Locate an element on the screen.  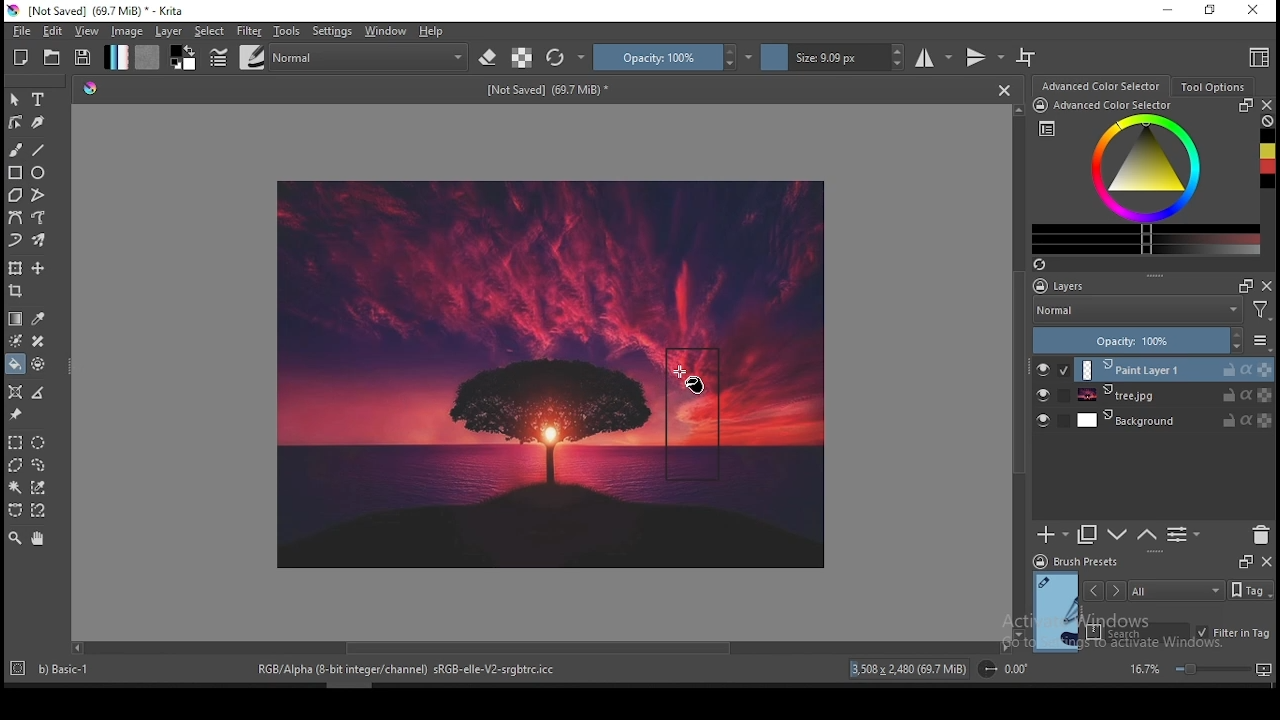
line tool is located at coordinates (41, 149).